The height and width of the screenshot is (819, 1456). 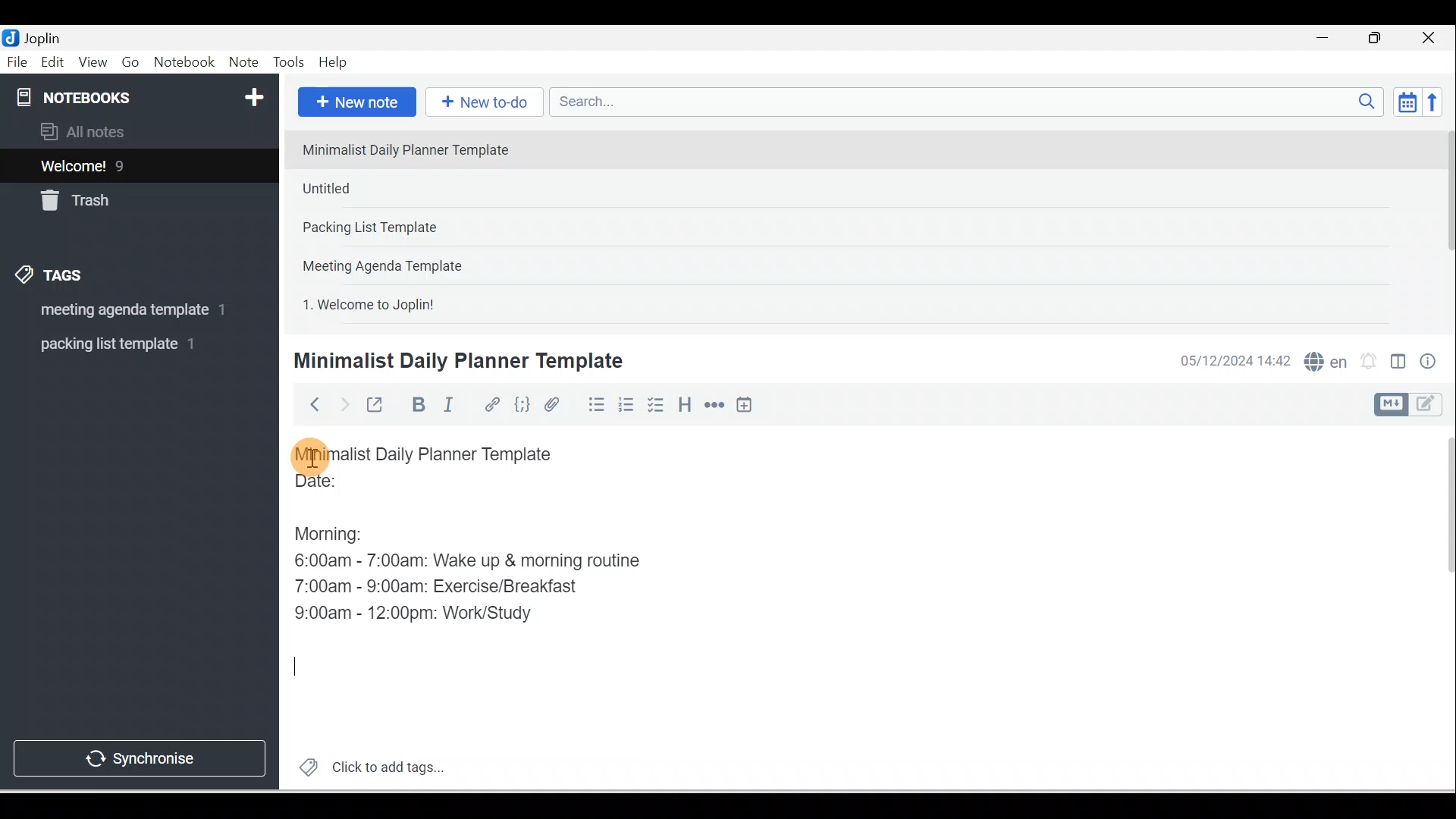 I want to click on Spelling, so click(x=1323, y=359).